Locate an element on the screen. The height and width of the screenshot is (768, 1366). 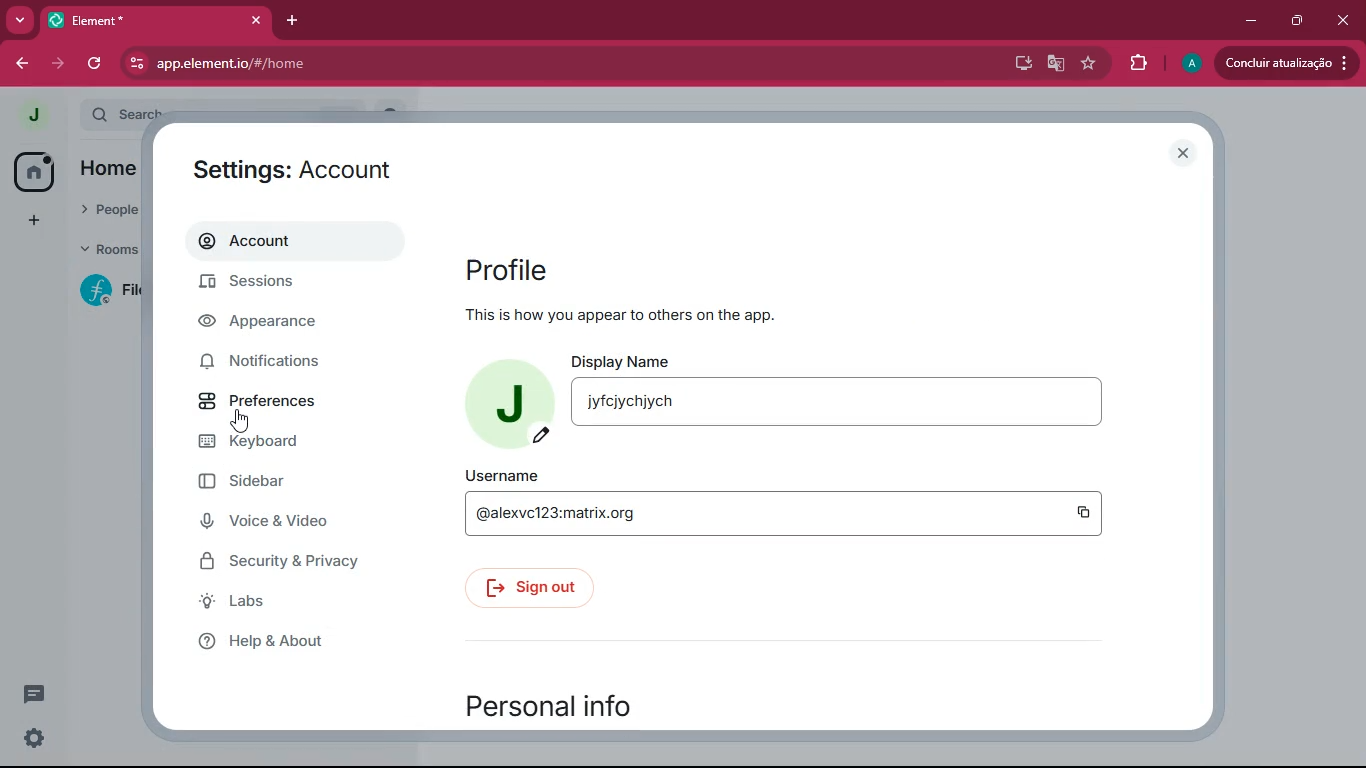
voice & video is located at coordinates (281, 522).